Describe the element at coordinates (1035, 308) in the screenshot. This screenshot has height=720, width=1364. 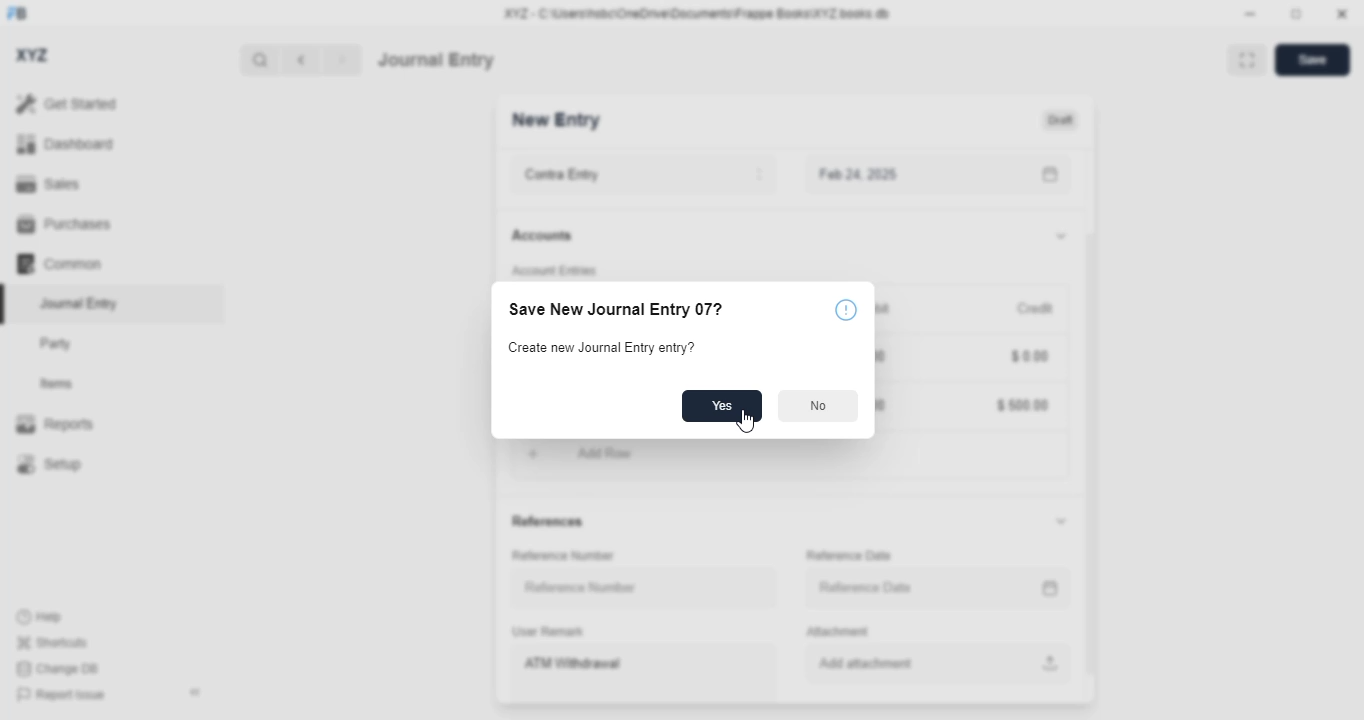
I see `credit` at that location.